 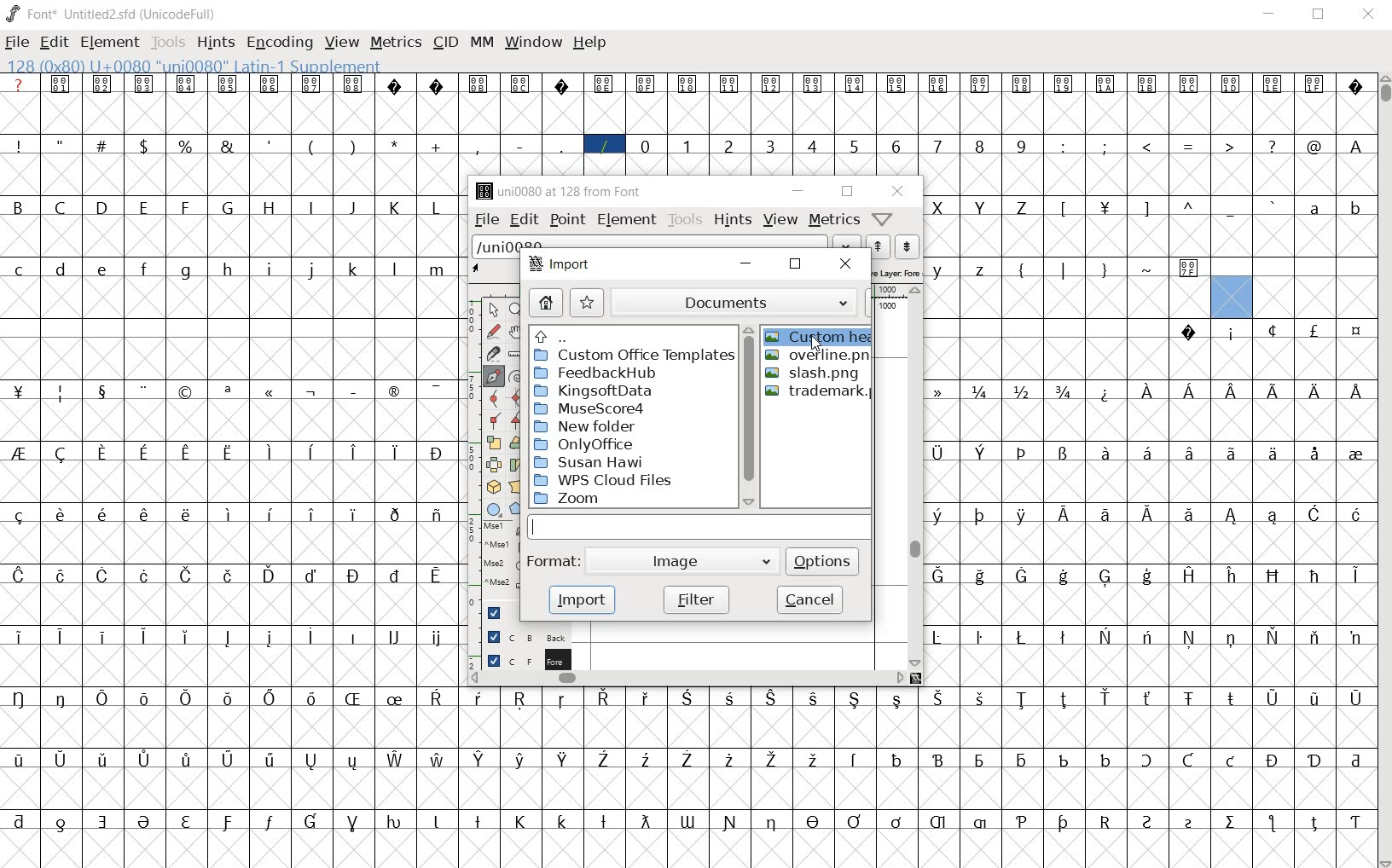 I want to click on glyph, so click(x=980, y=698).